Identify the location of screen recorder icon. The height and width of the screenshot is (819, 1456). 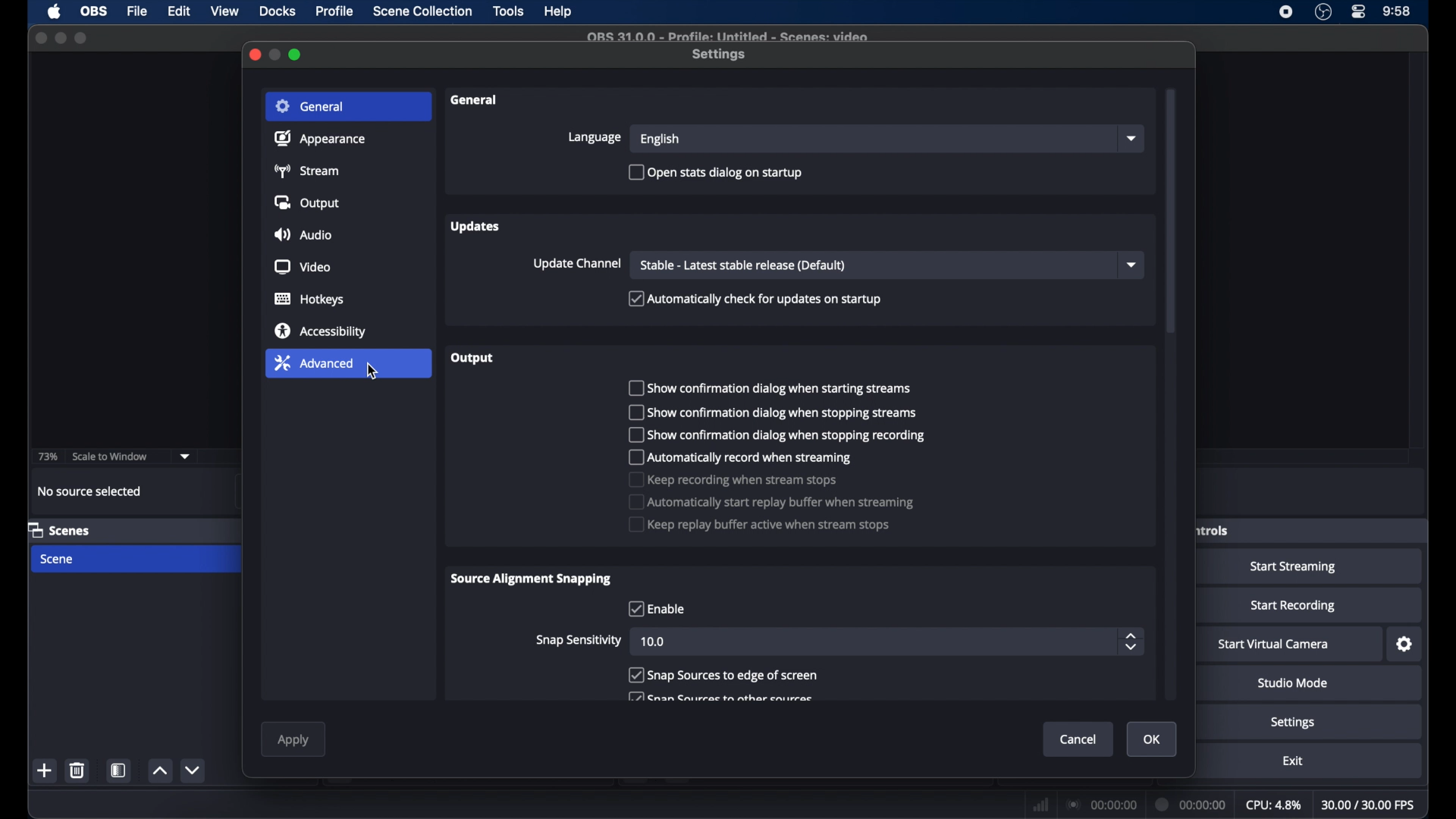
(1286, 12).